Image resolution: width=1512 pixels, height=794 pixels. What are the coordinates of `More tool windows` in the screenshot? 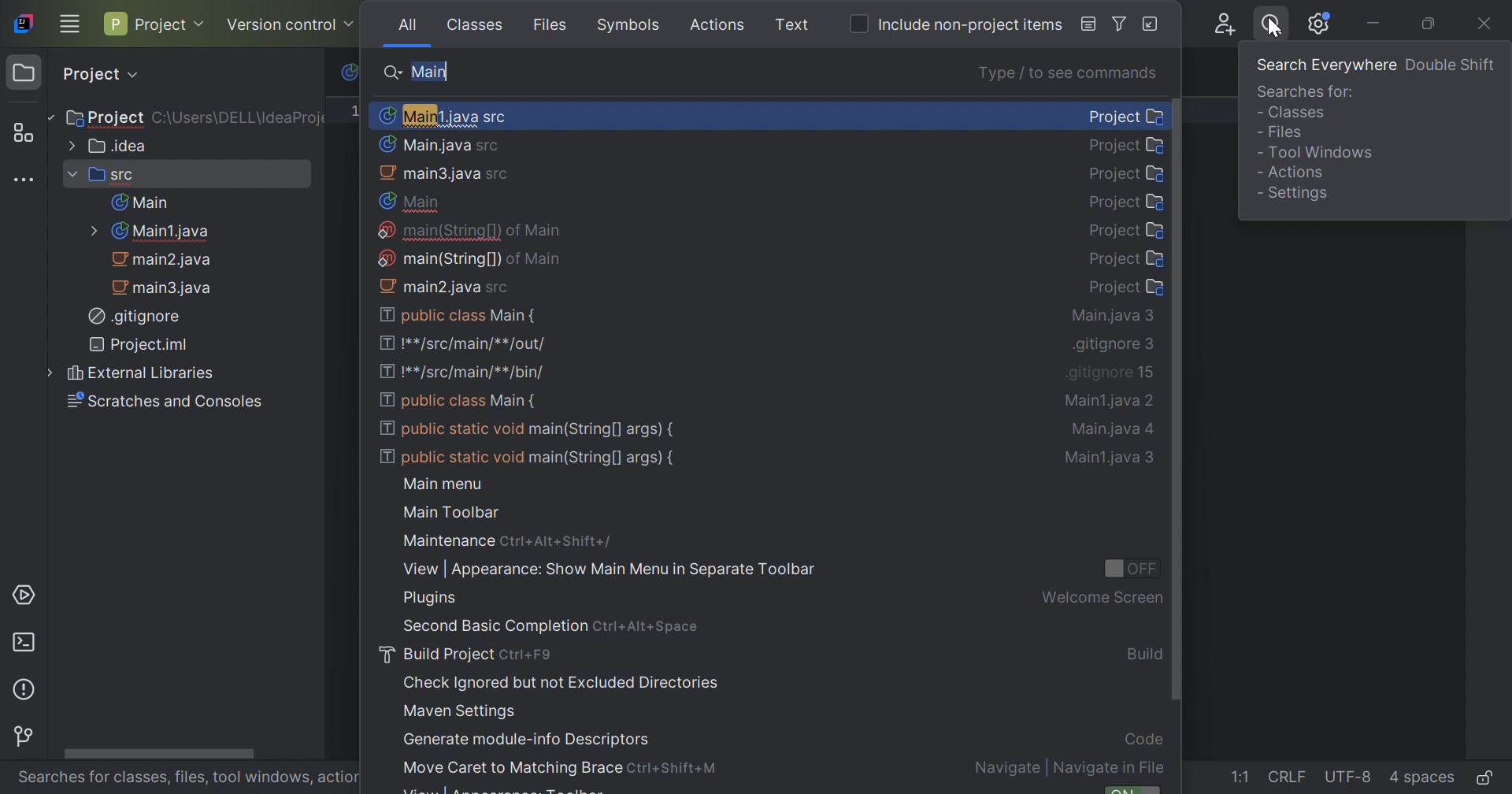 It's located at (24, 178).